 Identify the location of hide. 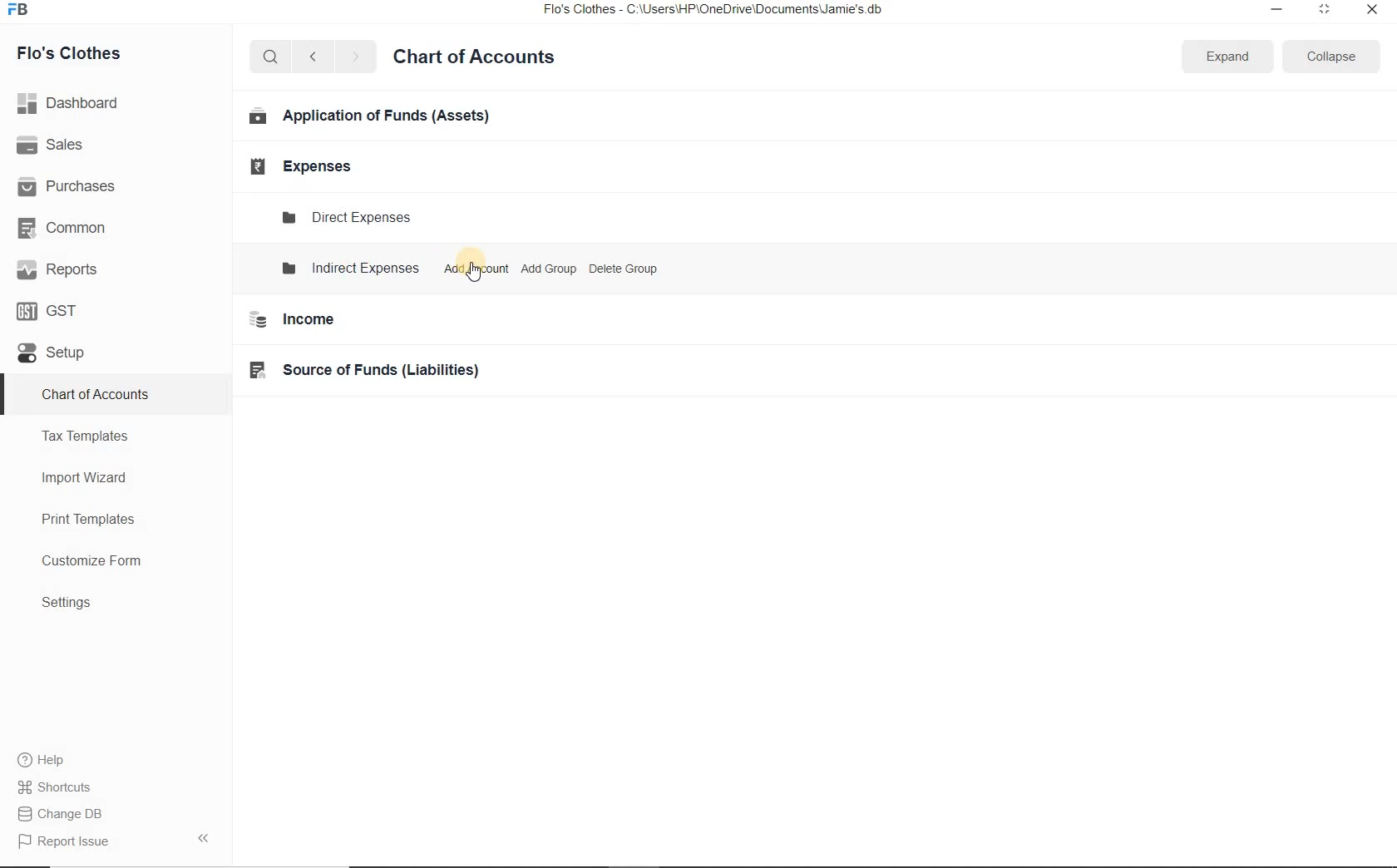
(204, 838).